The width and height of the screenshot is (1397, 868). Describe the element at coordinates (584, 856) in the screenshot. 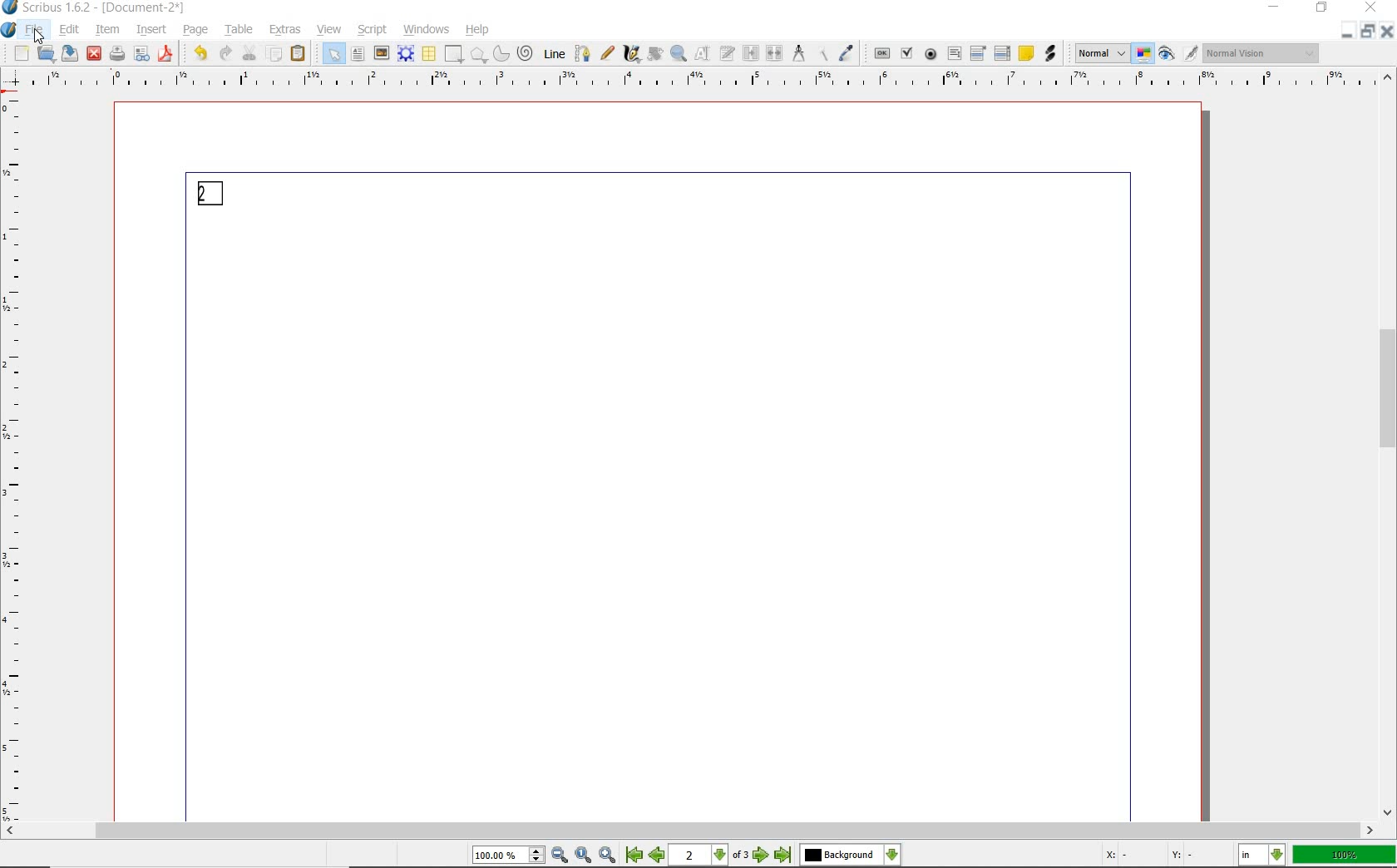

I see `Zoom to 100%` at that location.